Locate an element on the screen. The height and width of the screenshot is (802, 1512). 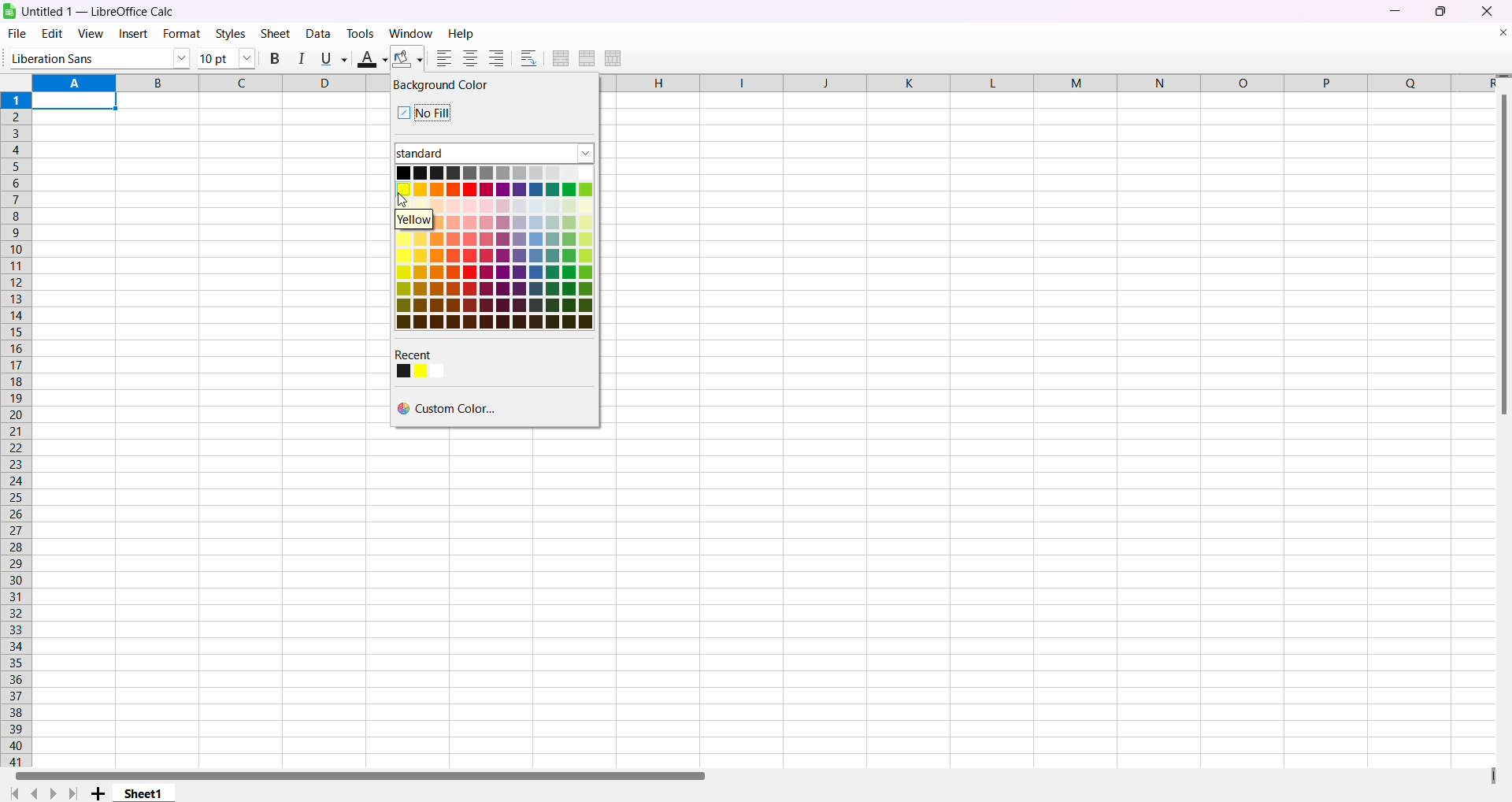
standard is located at coordinates (482, 154).